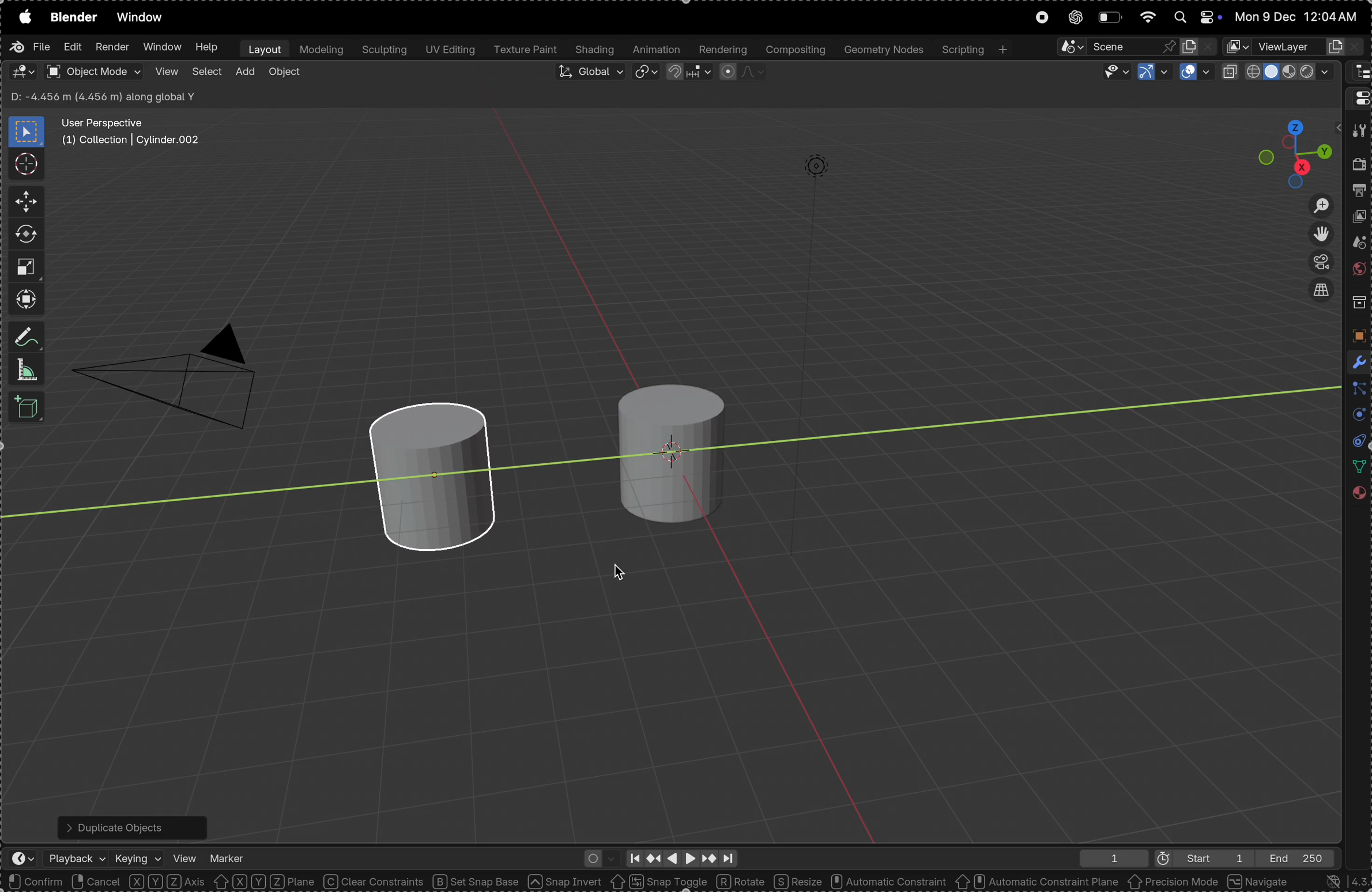 This screenshot has height=892, width=1372. Describe the element at coordinates (1360, 219) in the screenshot. I see `view layer` at that location.